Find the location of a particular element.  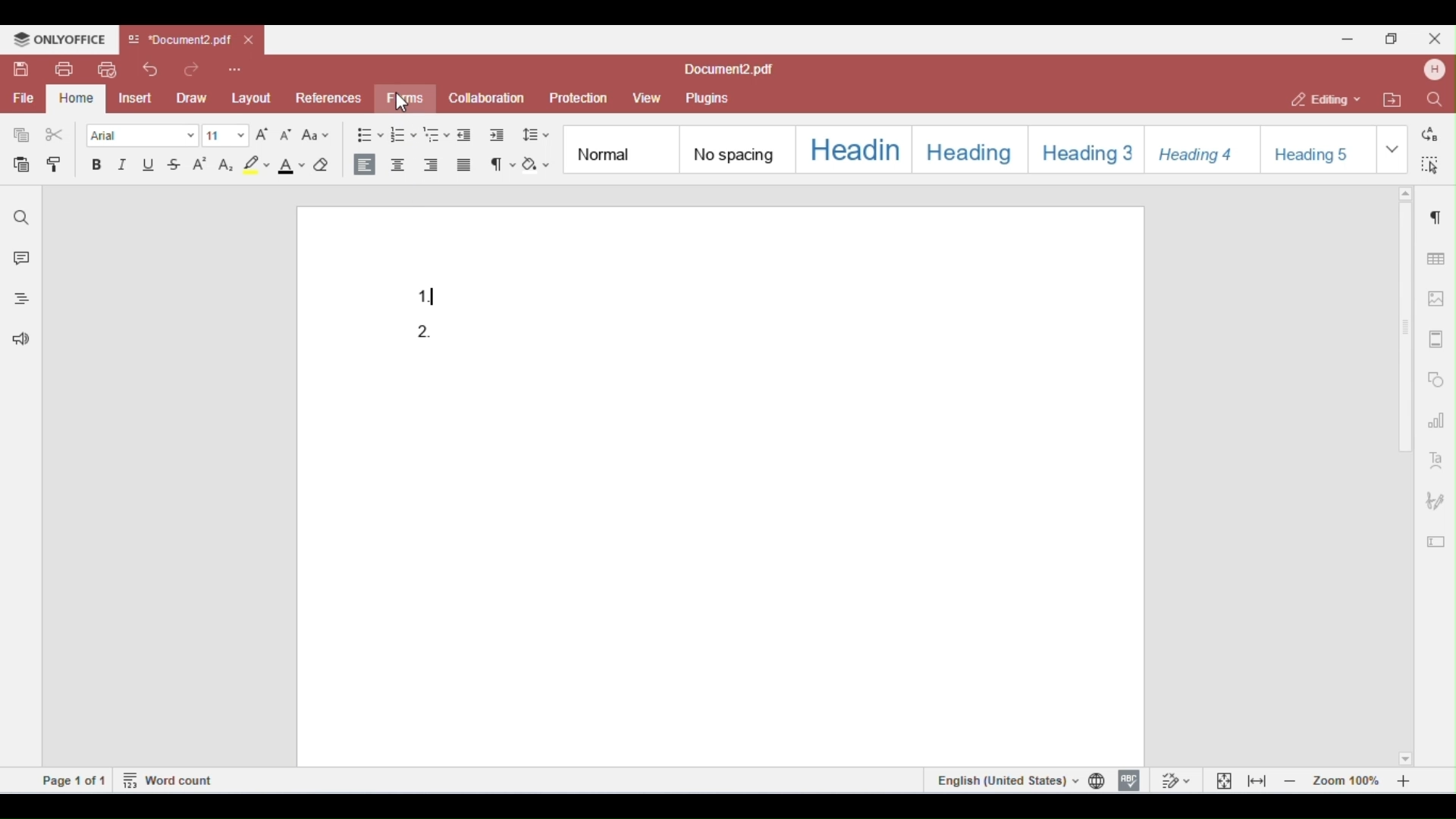

zoom is located at coordinates (1351, 780).